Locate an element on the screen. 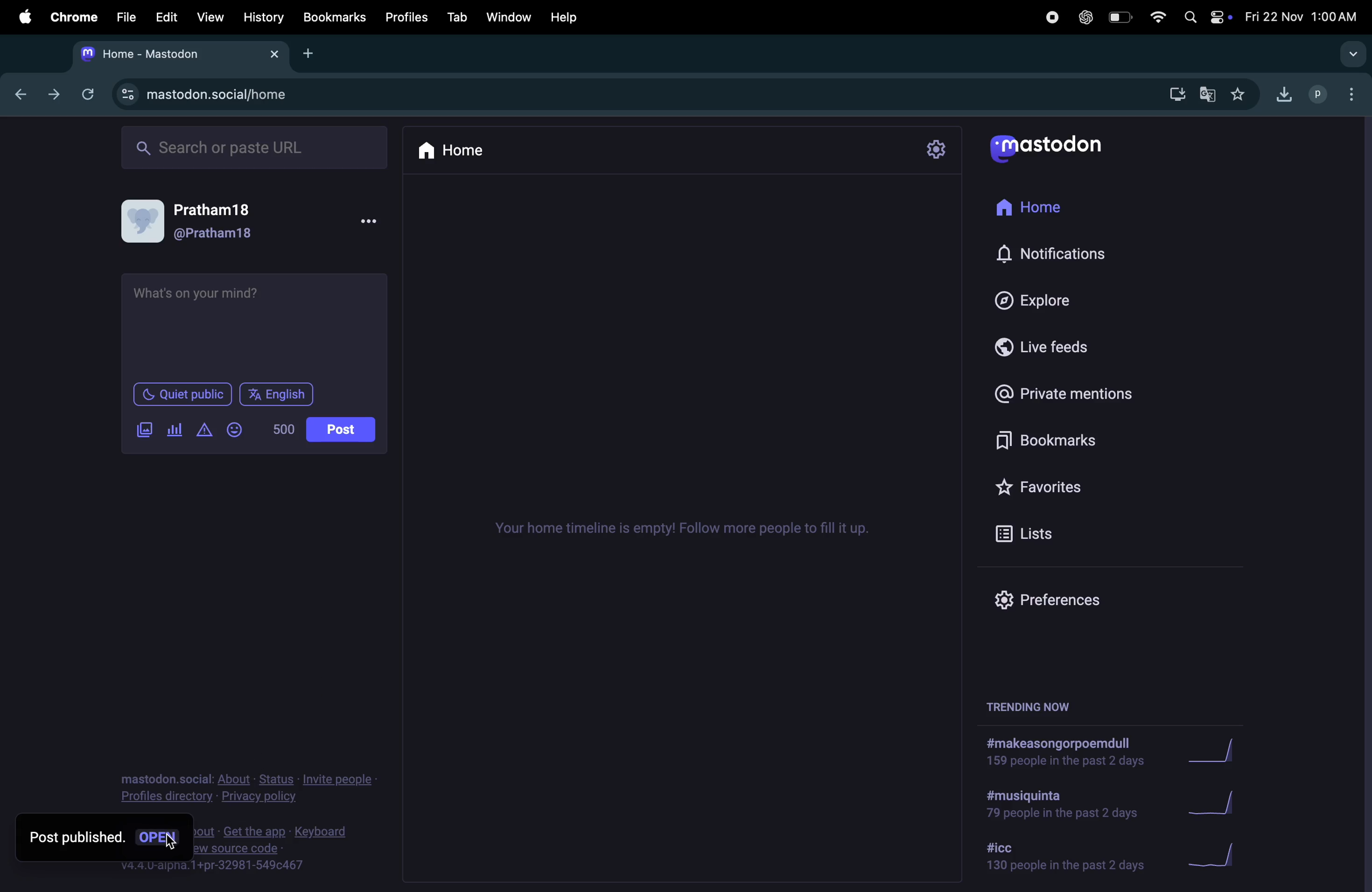 Image resolution: width=1372 pixels, height=892 pixels. status is located at coordinates (278, 780).